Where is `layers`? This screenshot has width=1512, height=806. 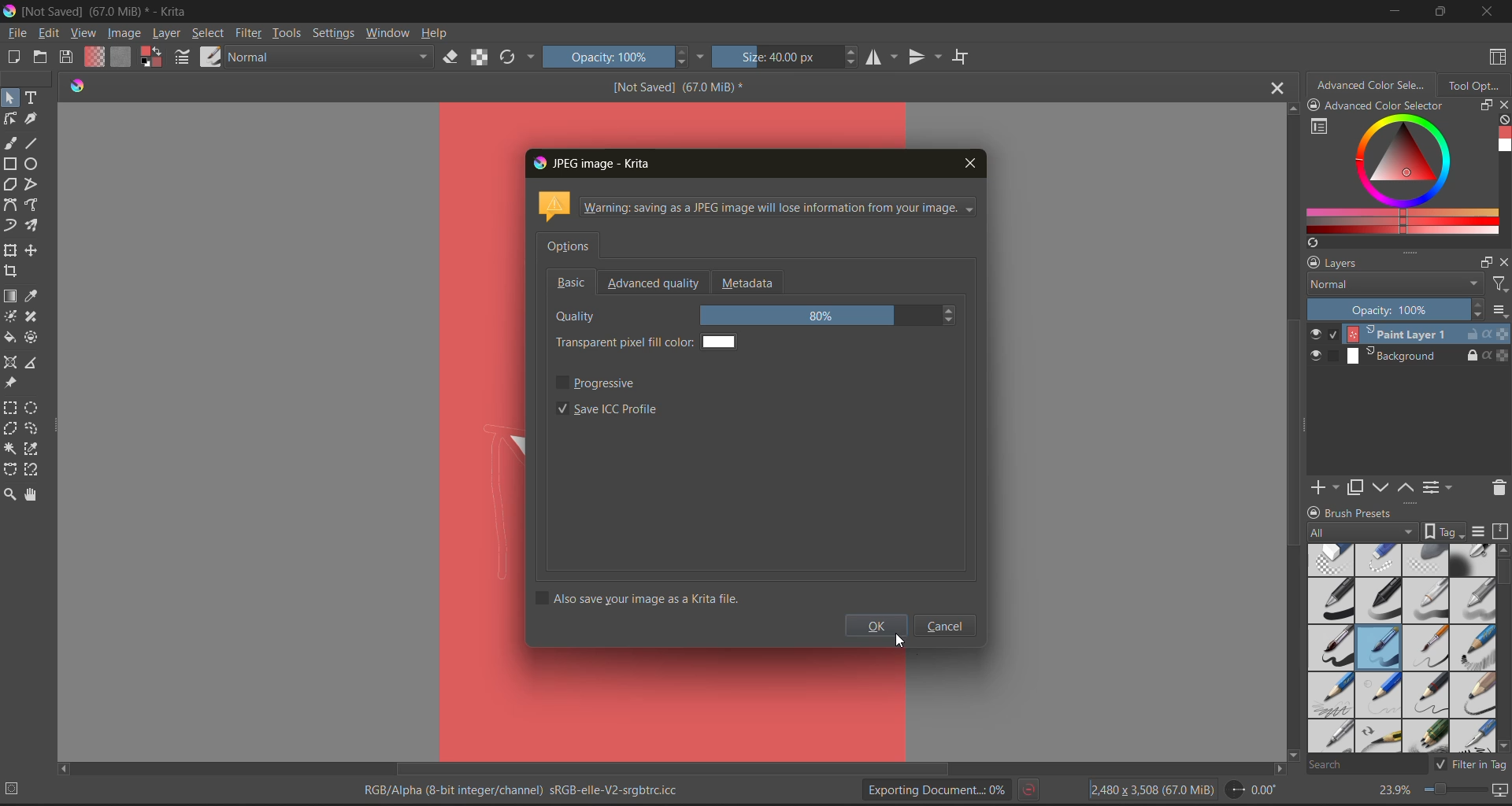
layers is located at coordinates (1387, 264).